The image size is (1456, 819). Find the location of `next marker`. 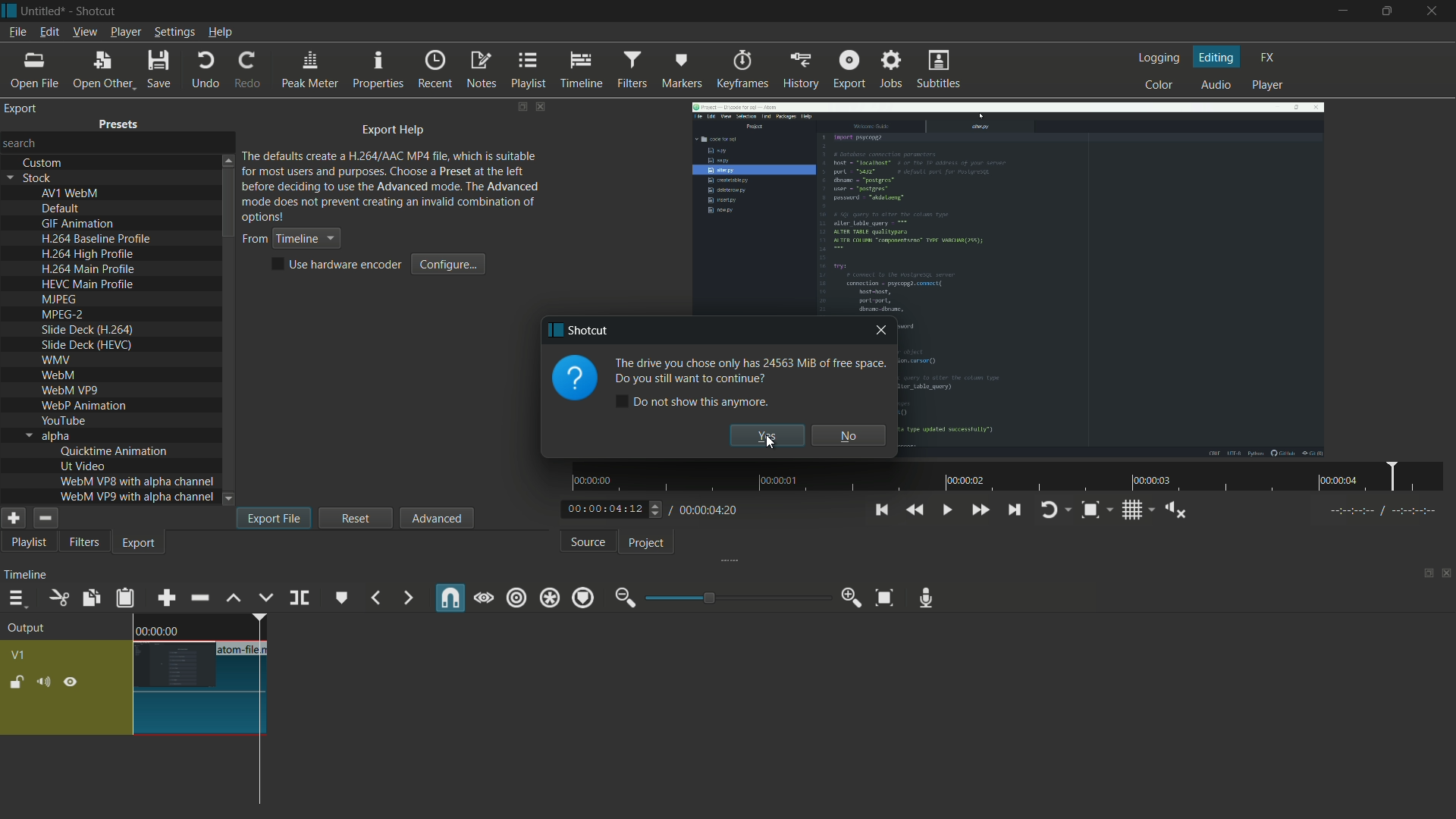

next marker is located at coordinates (409, 598).